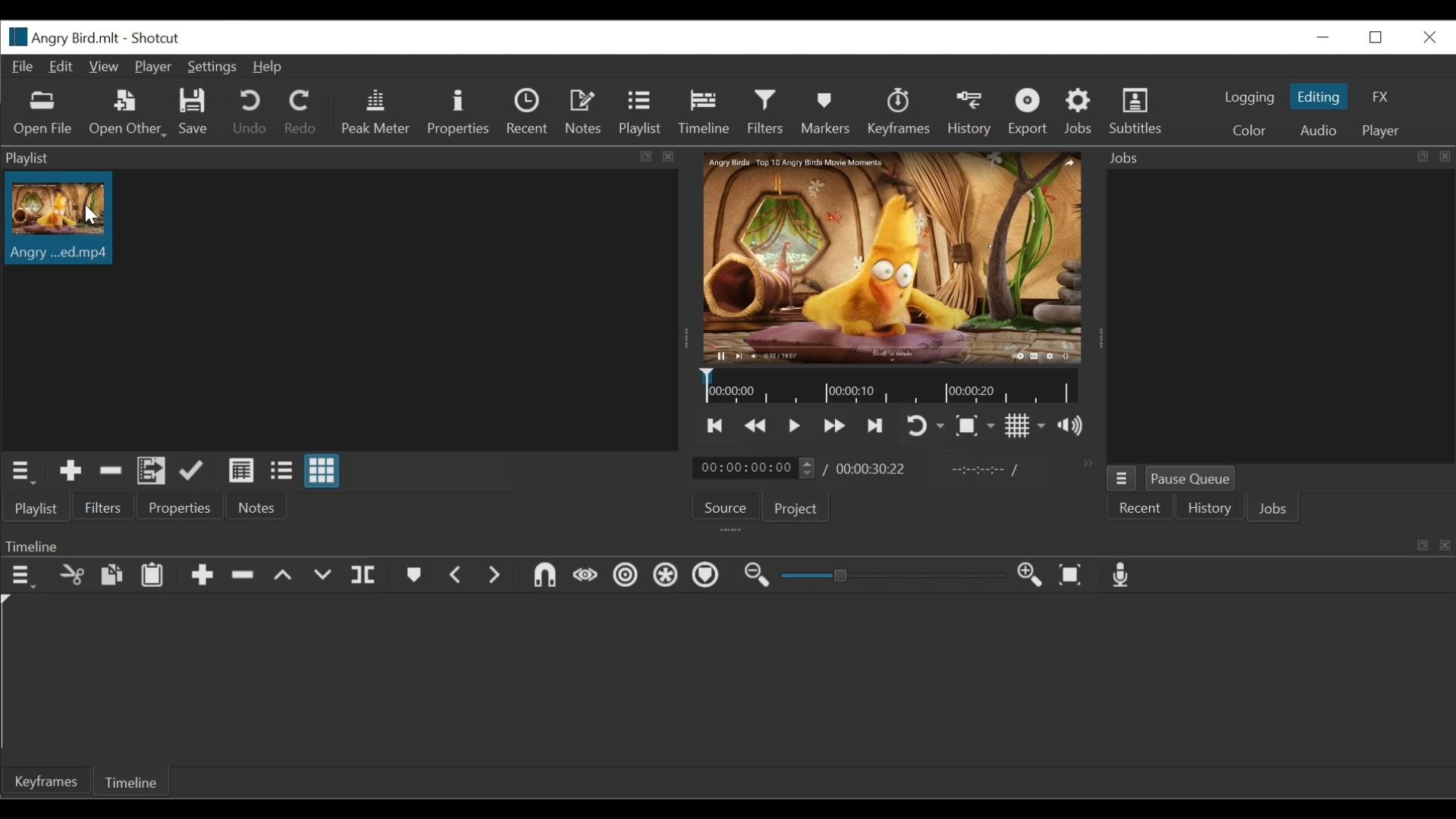  Describe the element at coordinates (61, 67) in the screenshot. I see `Edit` at that location.